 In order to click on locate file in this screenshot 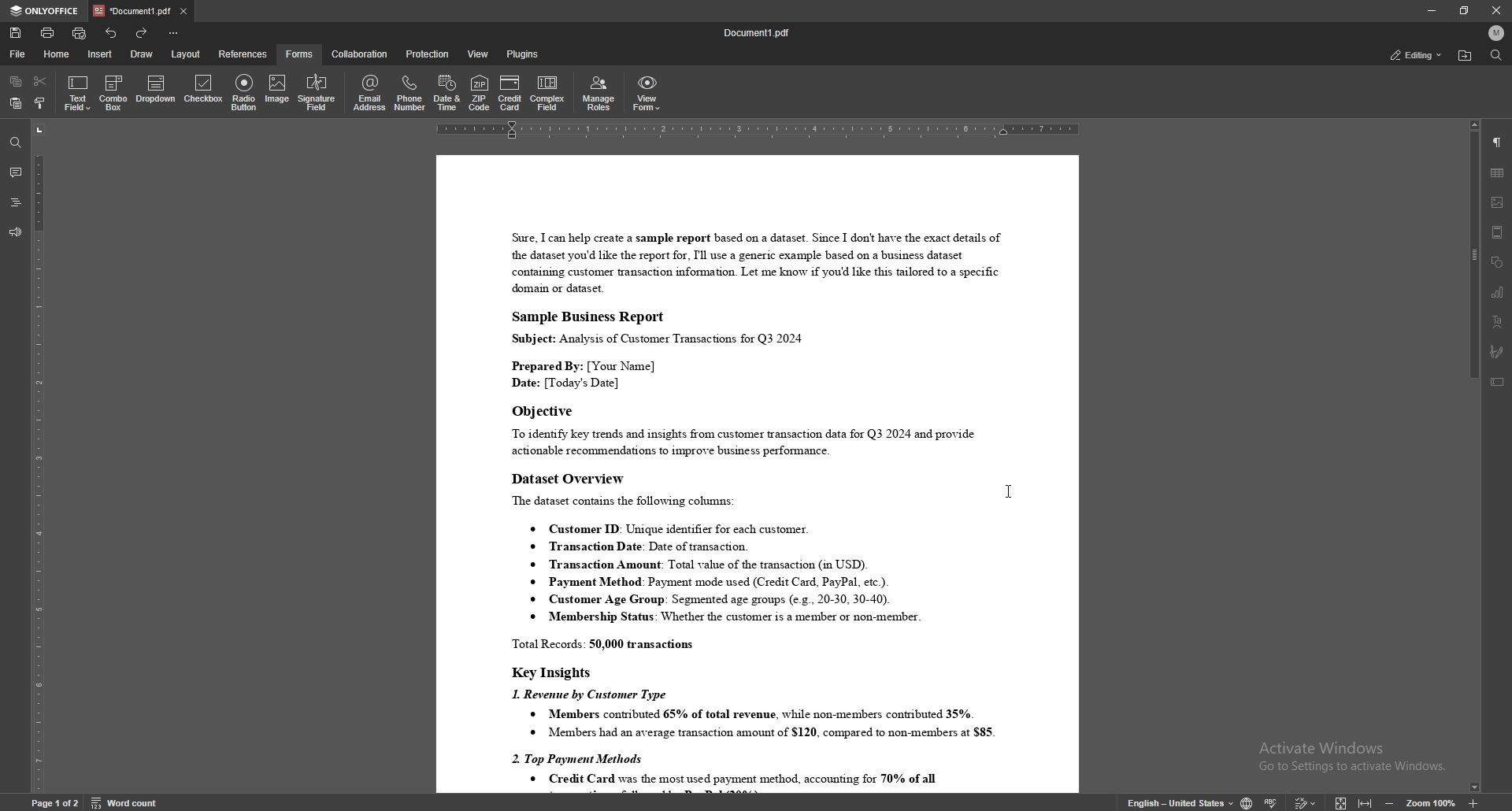, I will do `click(1465, 56)`.